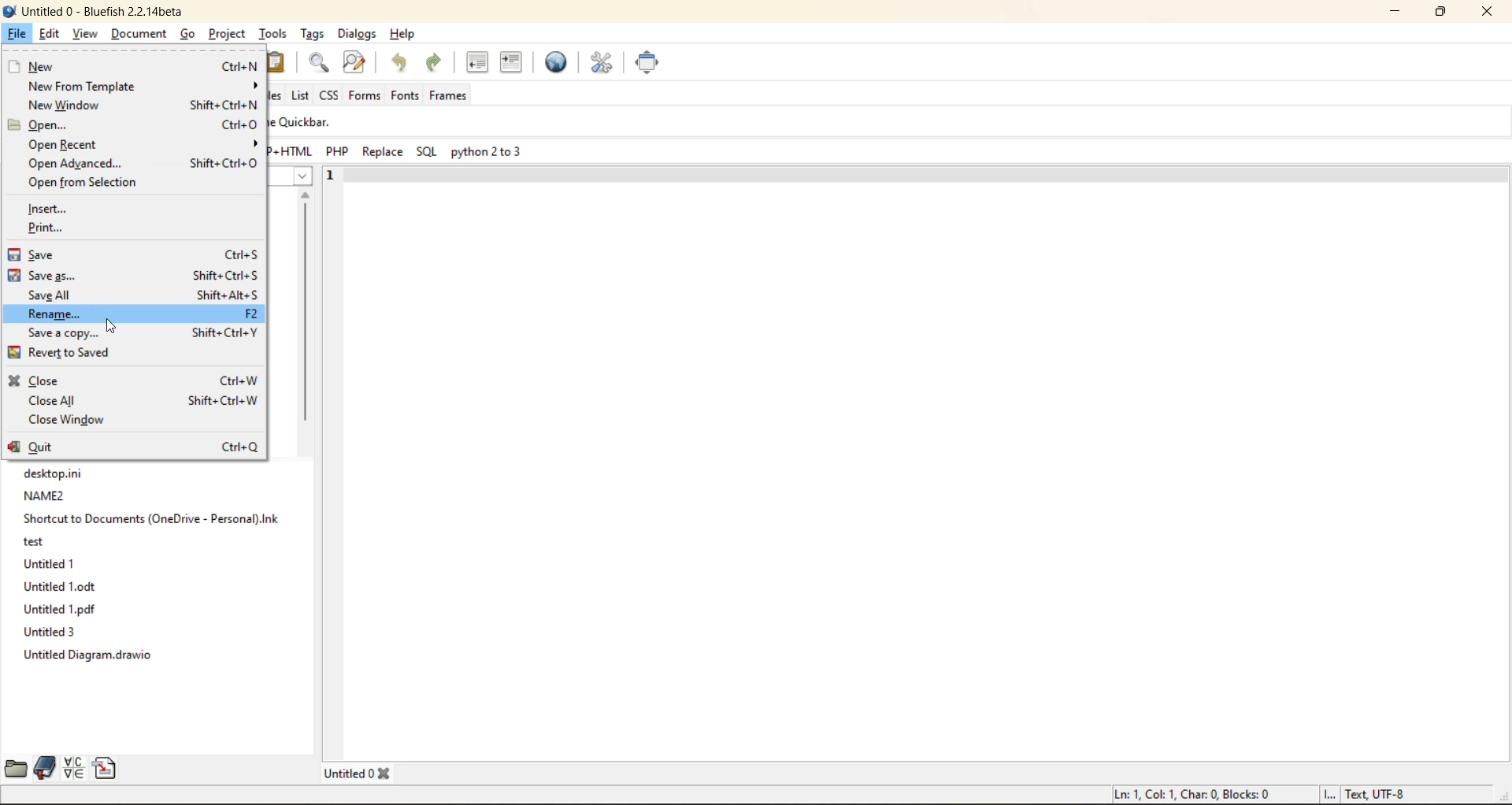 This screenshot has height=805, width=1512. What do you see at coordinates (652, 65) in the screenshot?
I see `full screen` at bounding box center [652, 65].